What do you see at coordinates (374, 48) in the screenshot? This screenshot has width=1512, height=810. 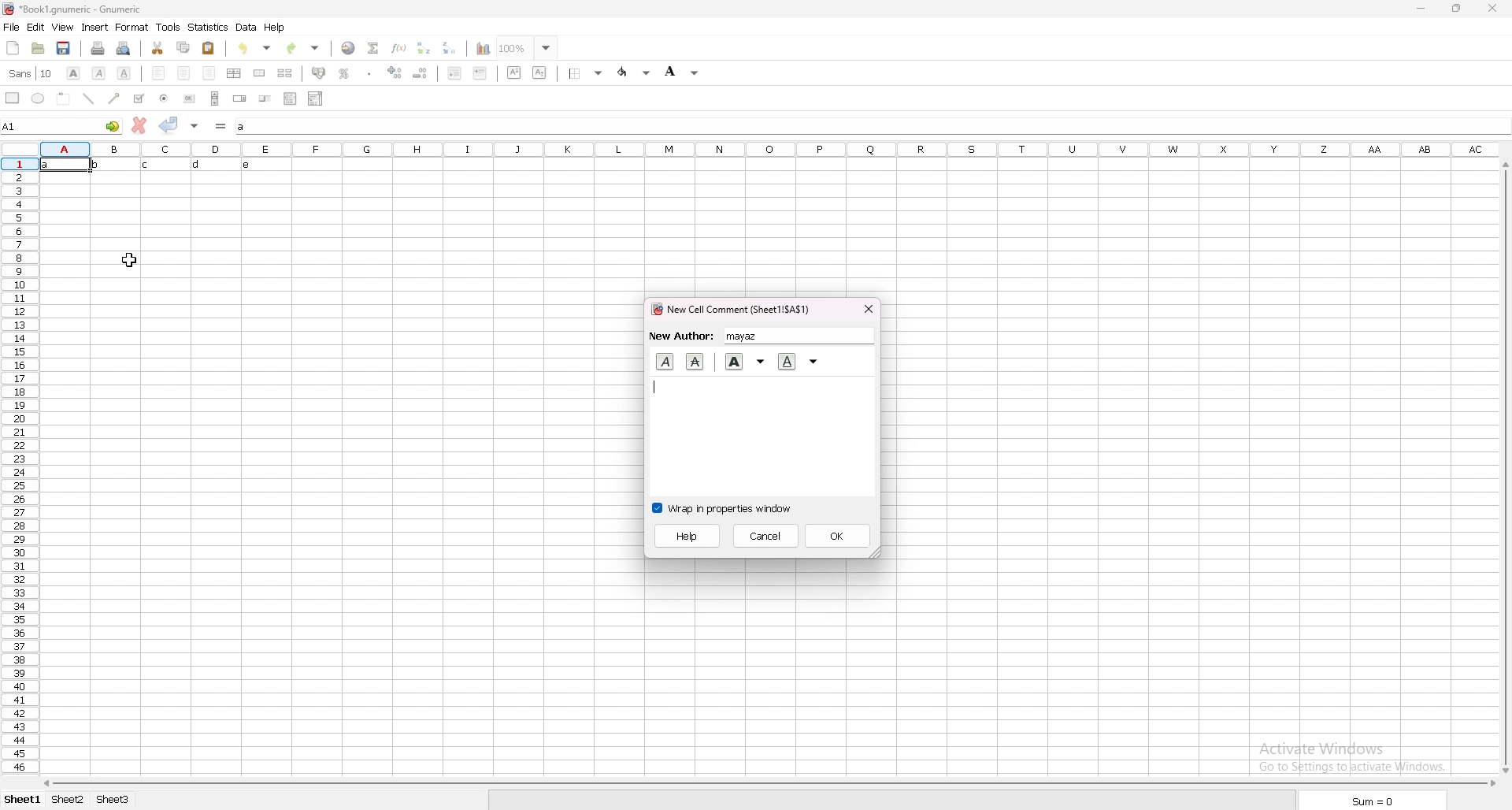 I see `summation` at bounding box center [374, 48].